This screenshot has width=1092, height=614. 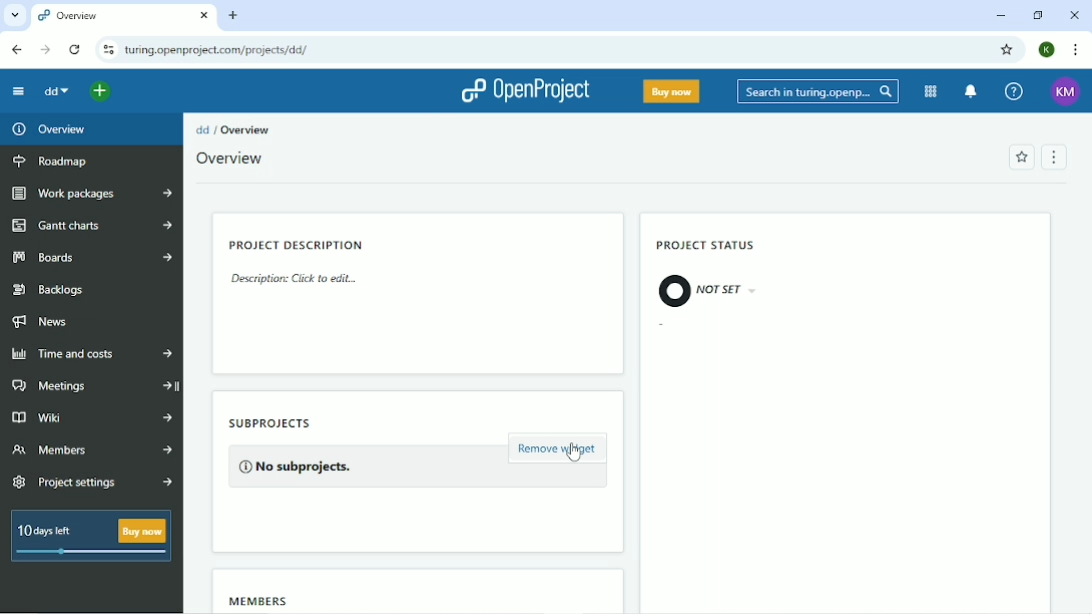 I want to click on Description: Click to edit.., so click(x=298, y=283).